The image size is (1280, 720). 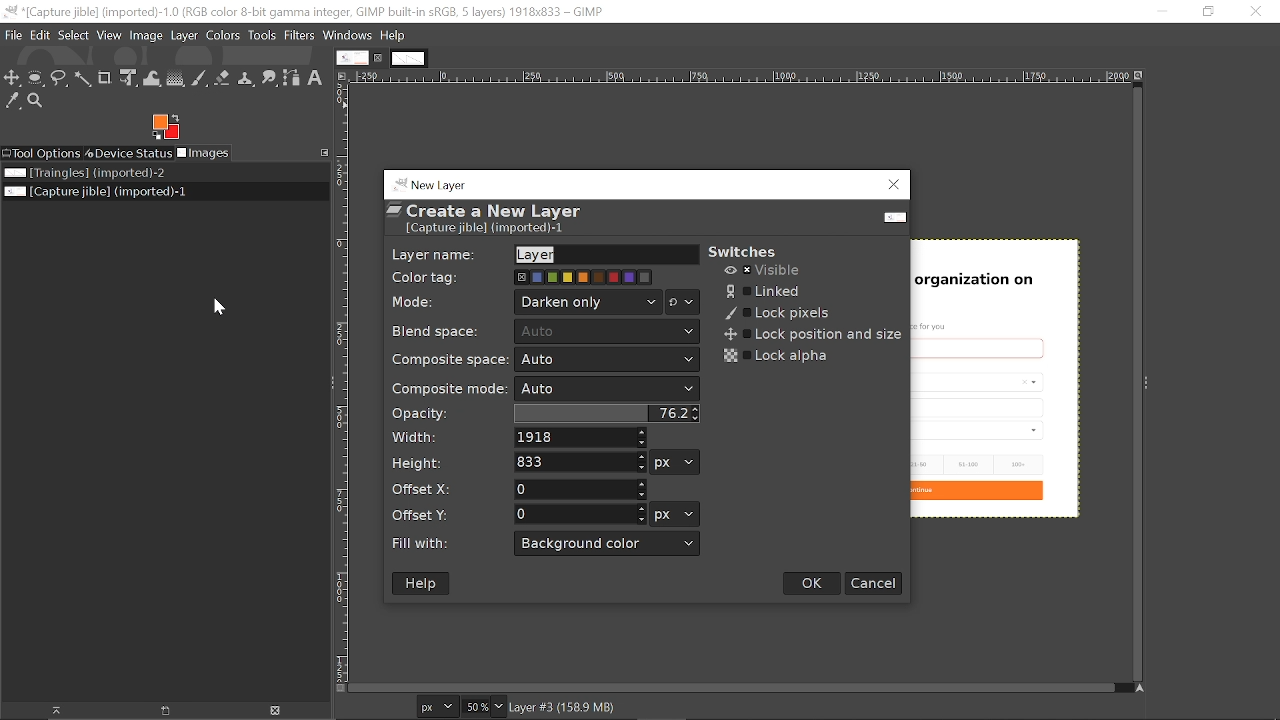 What do you see at coordinates (263, 35) in the screenshot?
I see `Tools` at bounding box center [263, 35].